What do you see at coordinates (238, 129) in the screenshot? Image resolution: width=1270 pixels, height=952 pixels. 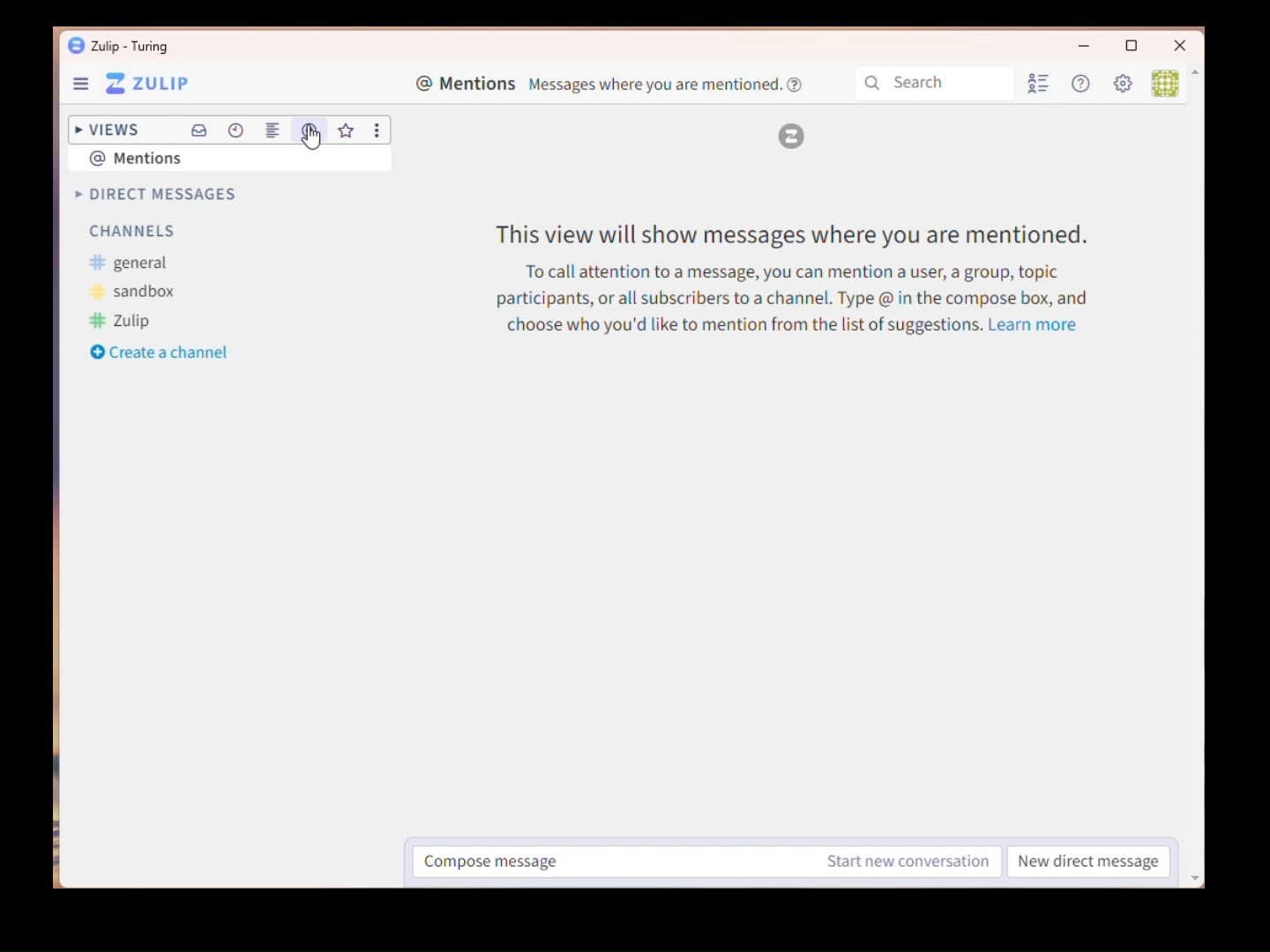 I see `Schedule` at bounding box center [238, 129].